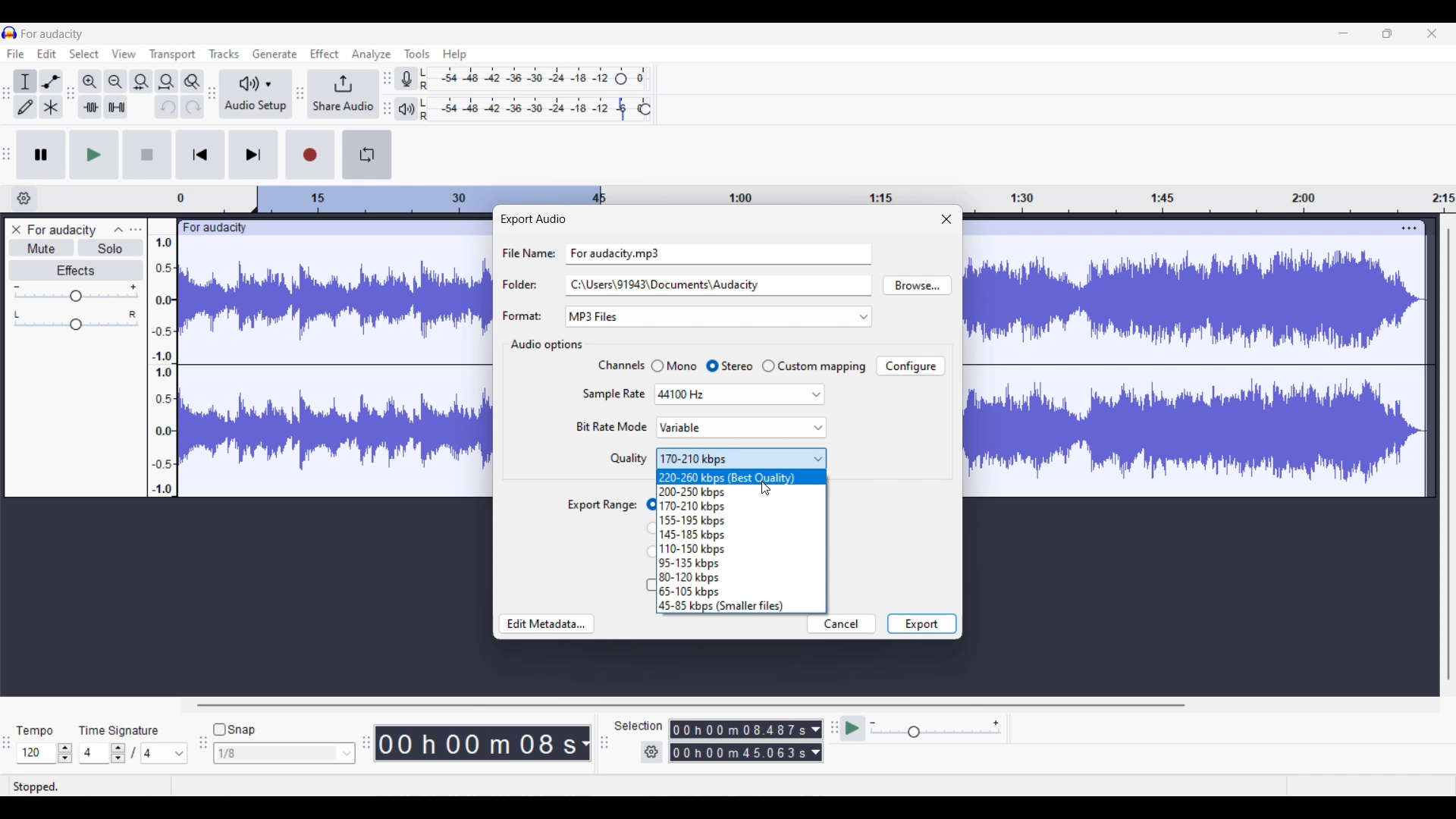 This screenshot has height=819, width=1456. What do you see at coordinates (1343, 33) in the screenshot?
I see `Minimize` at bounding box center [1343, 33].